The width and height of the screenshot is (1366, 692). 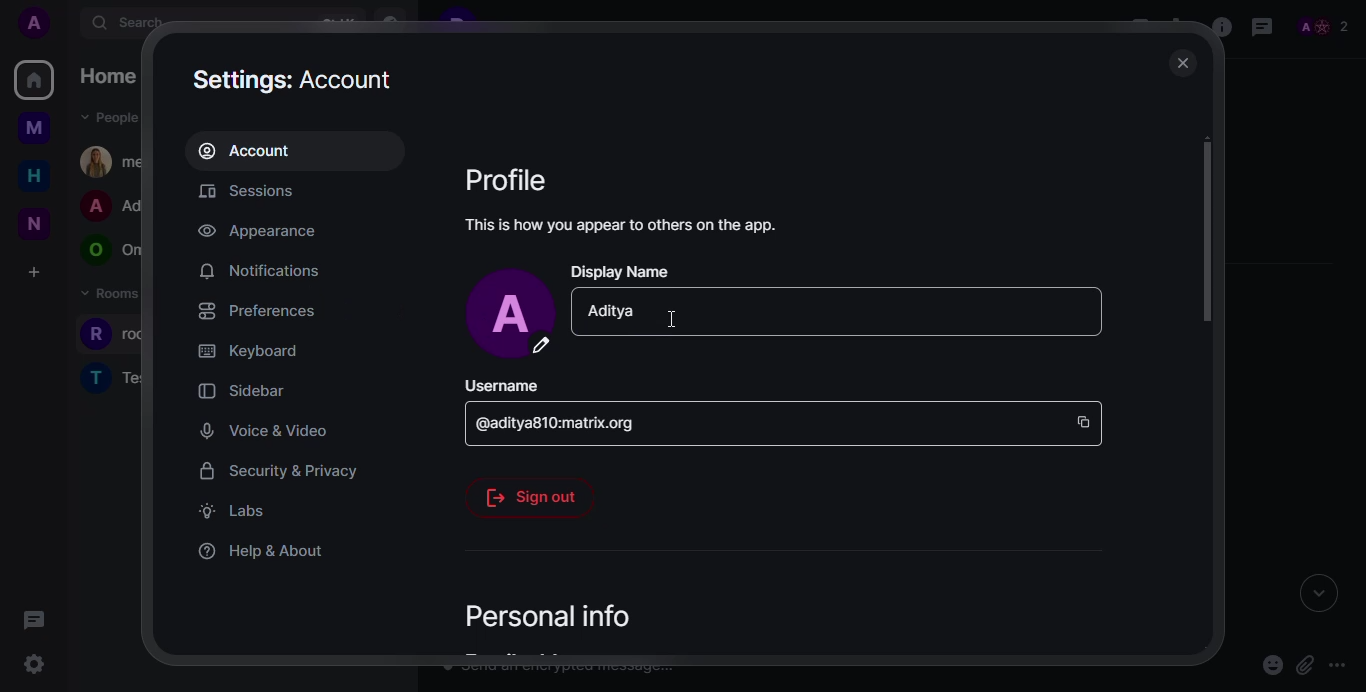 What do you see at coordinates (1341, 660) in the screenshot?
I see `more` at bounding box center [1341, 660].